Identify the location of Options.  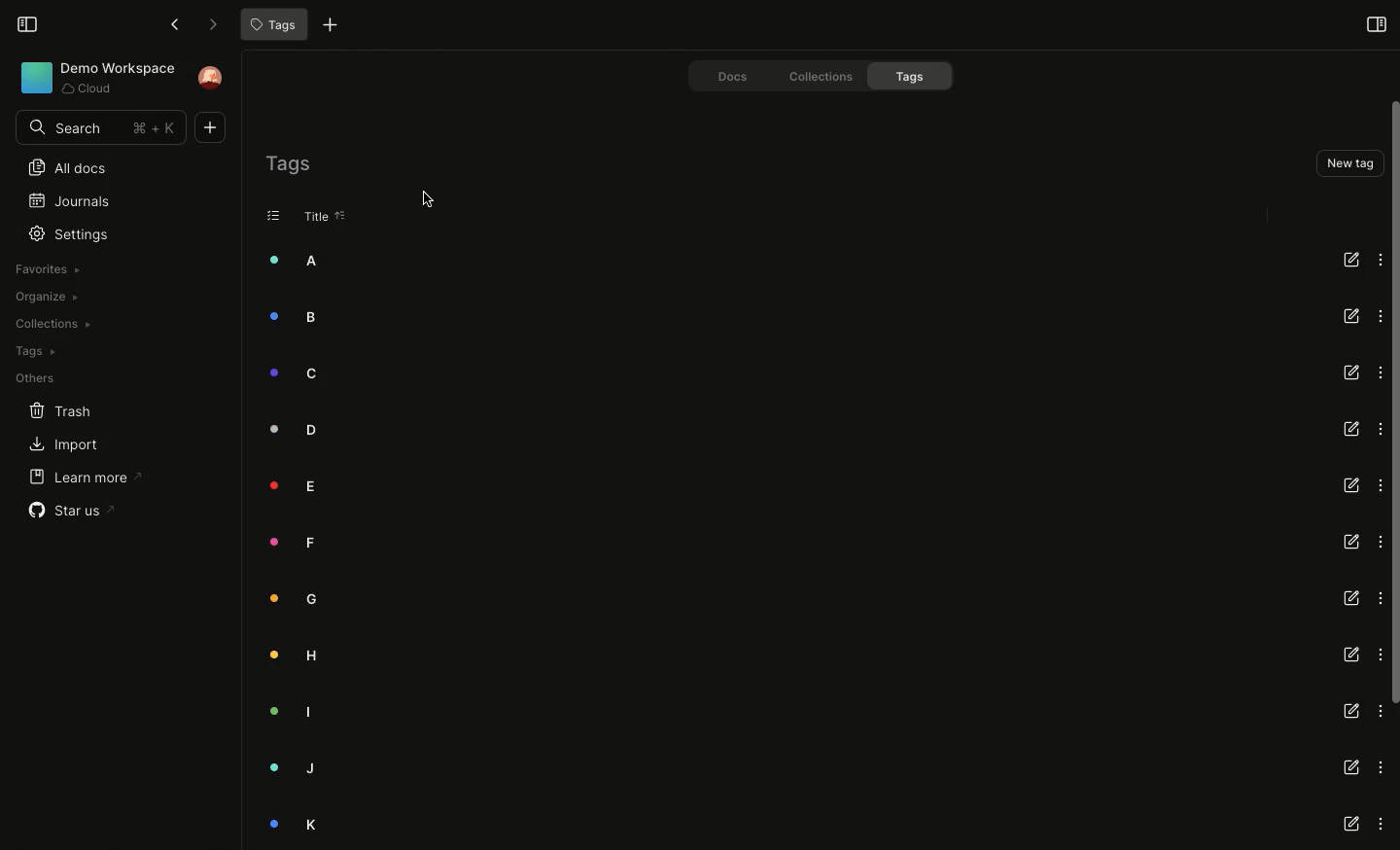
(1376, 315).